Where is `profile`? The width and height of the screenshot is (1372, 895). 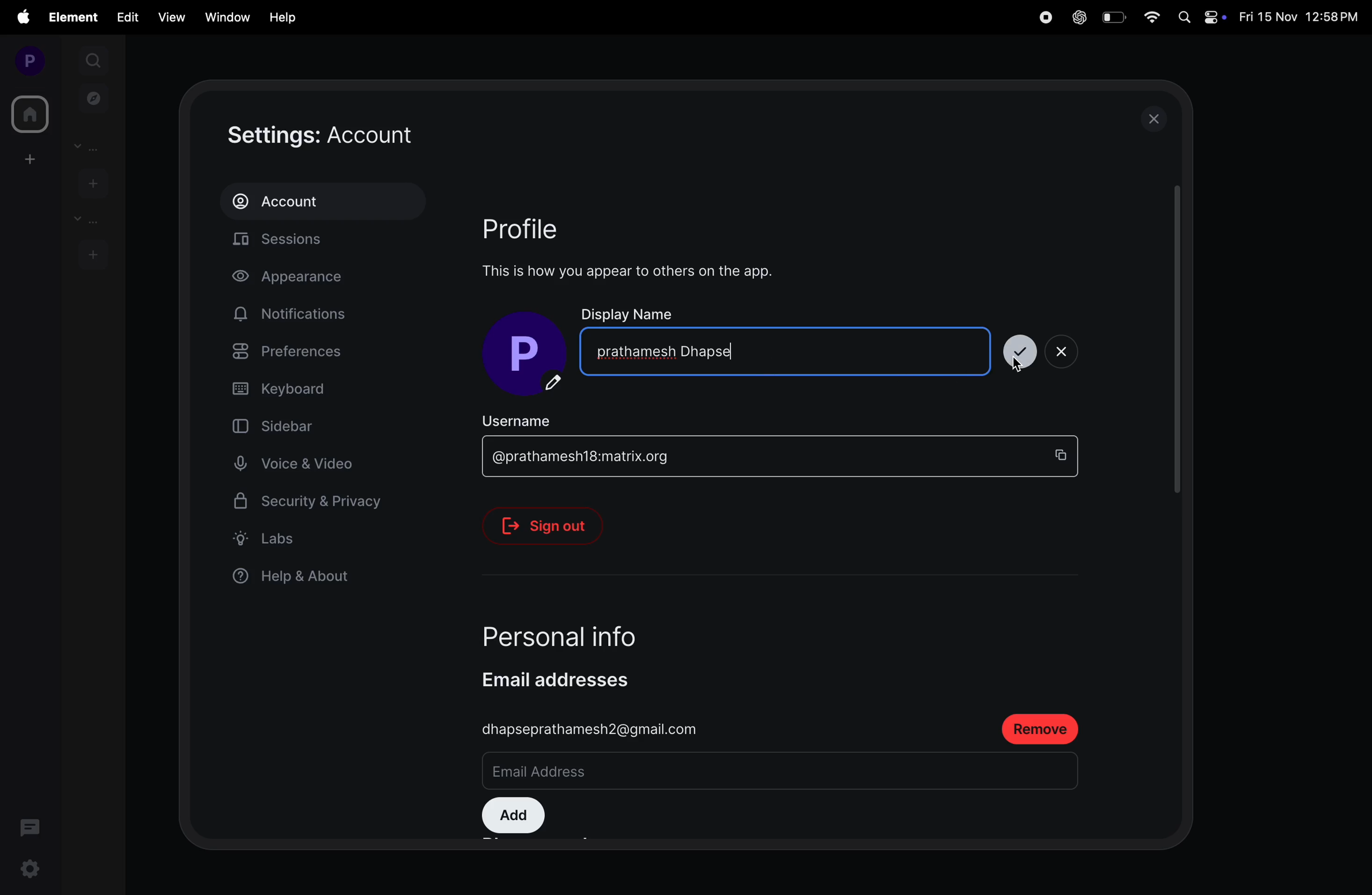
profile is located at coordinates (25, 60).